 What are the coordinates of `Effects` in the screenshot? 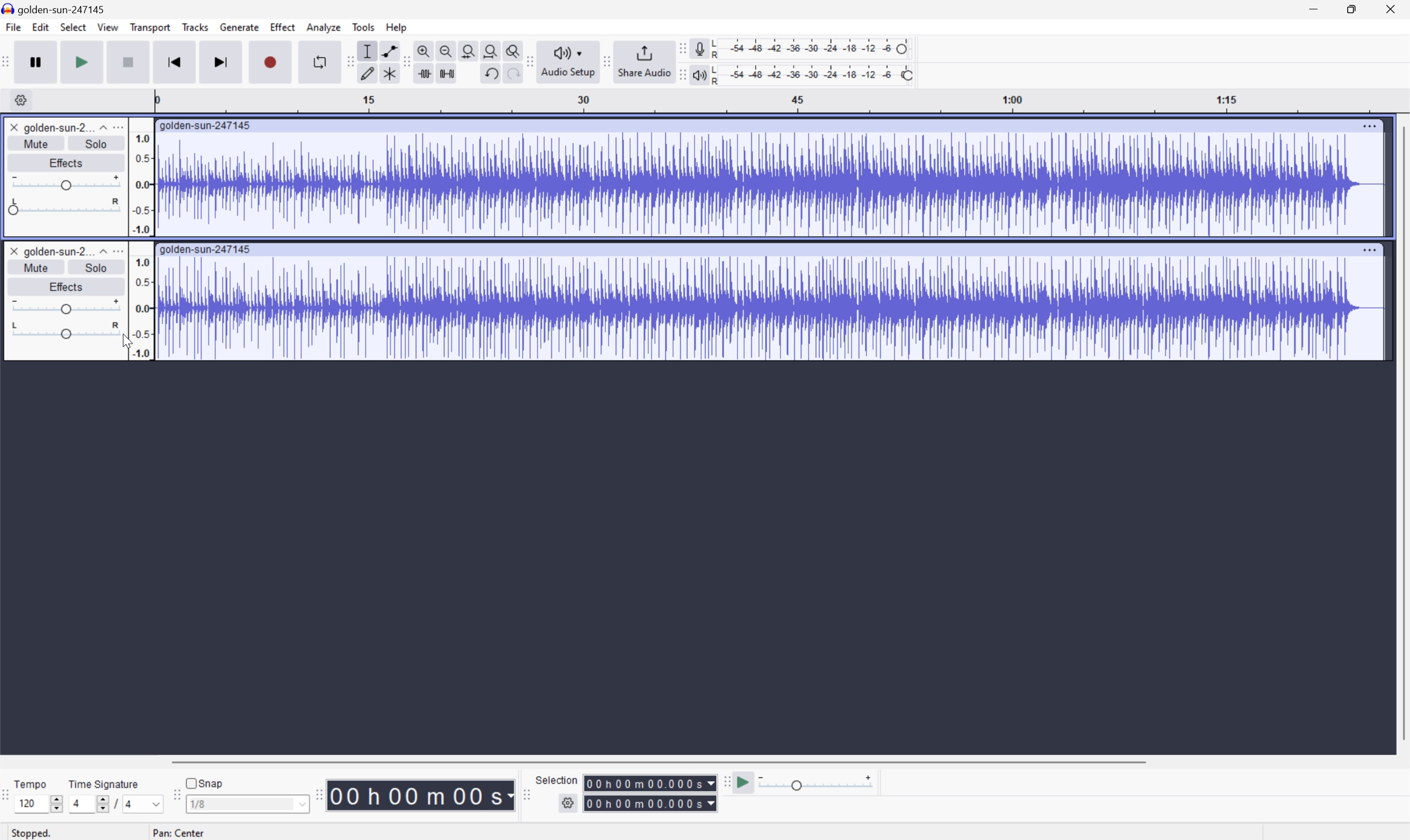 It's located at (63, 286).